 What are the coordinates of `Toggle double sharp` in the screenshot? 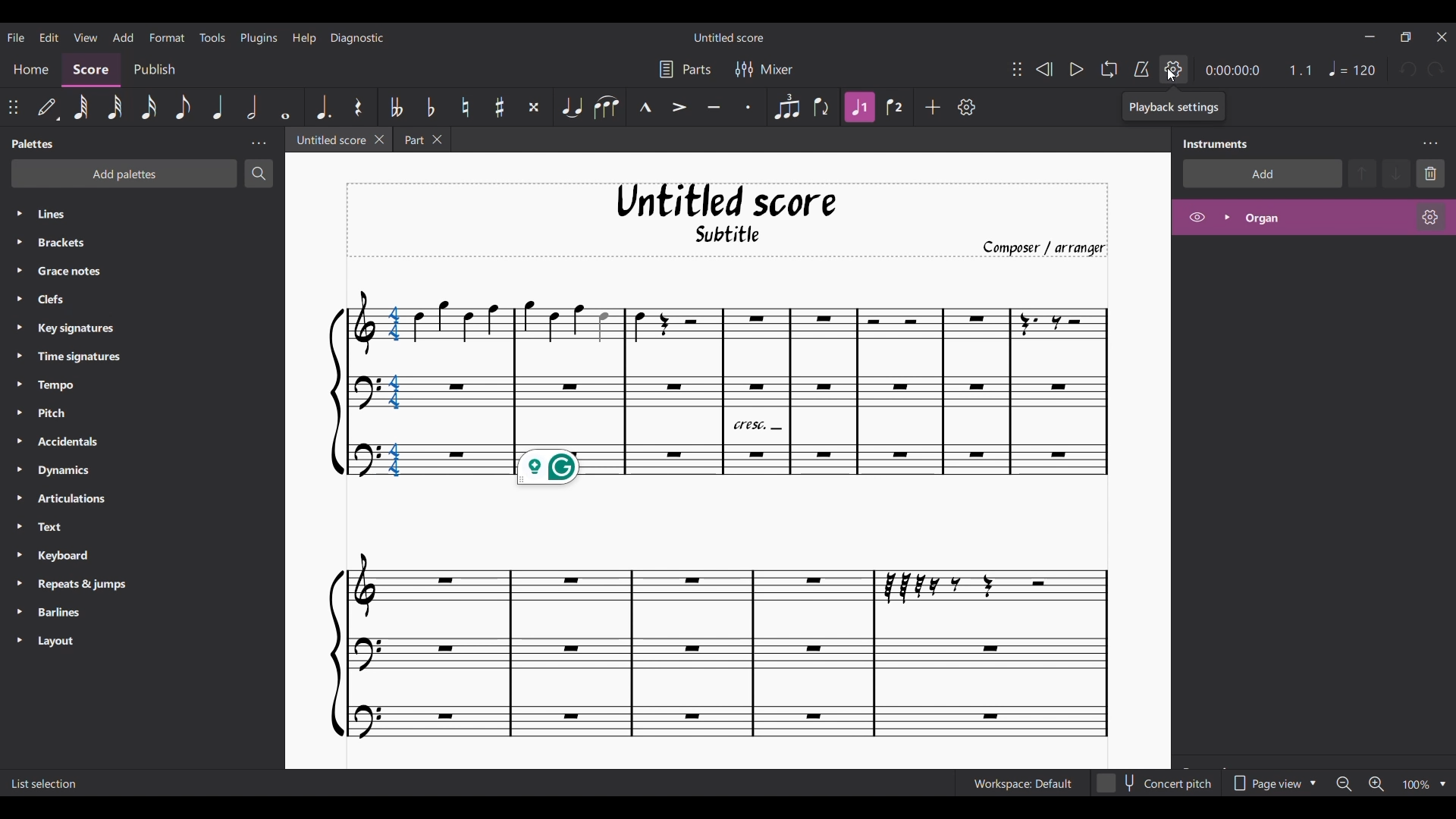 It's located at (535, 107).